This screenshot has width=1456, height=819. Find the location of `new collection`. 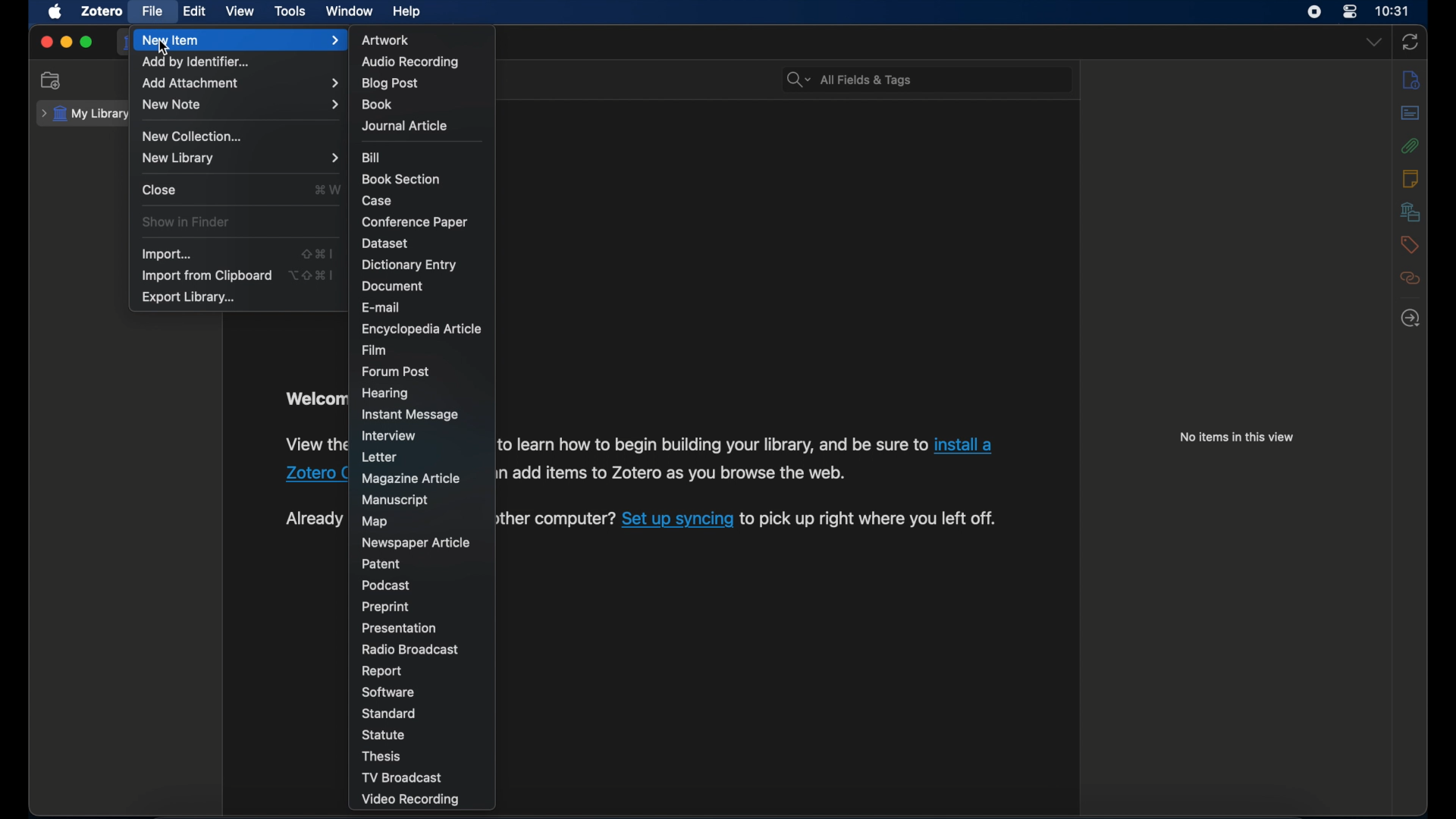

new collection is located at coordinates (193, 136).